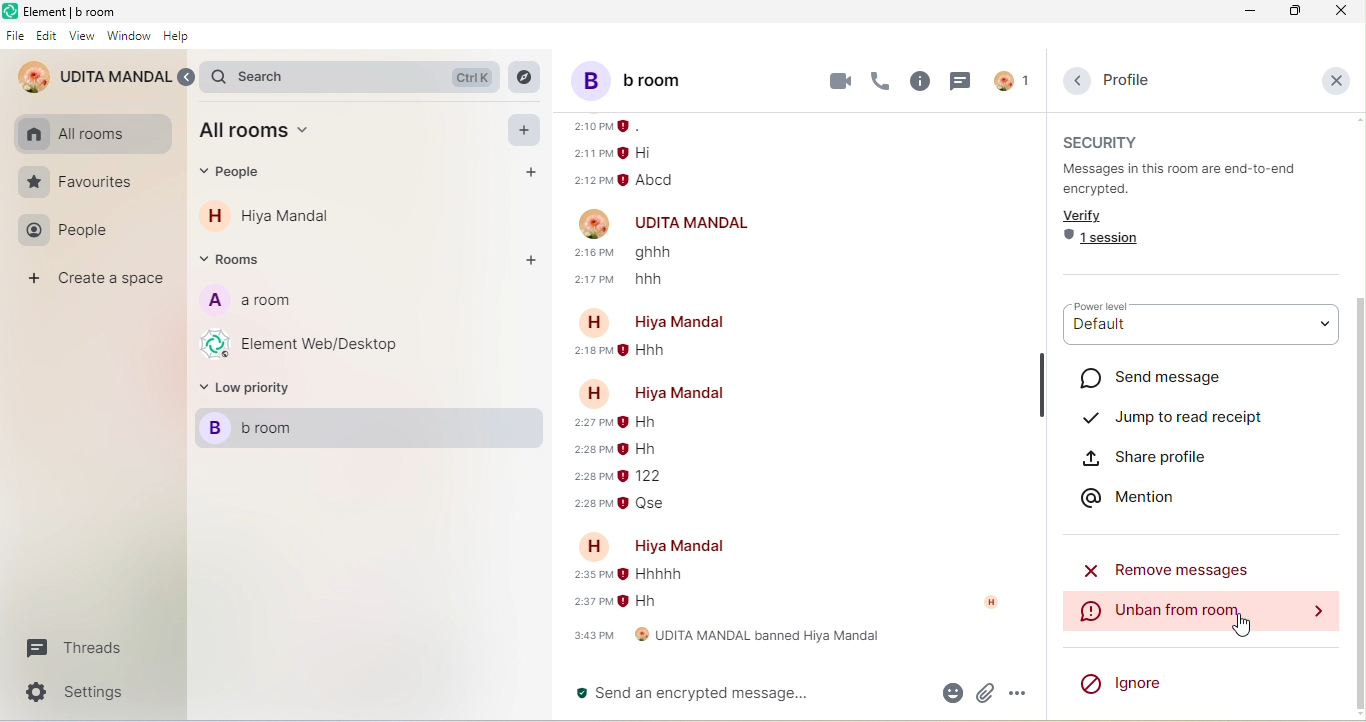  Describe the element at coordinates (356, 77) in the screenshot. I see `search` at that location.